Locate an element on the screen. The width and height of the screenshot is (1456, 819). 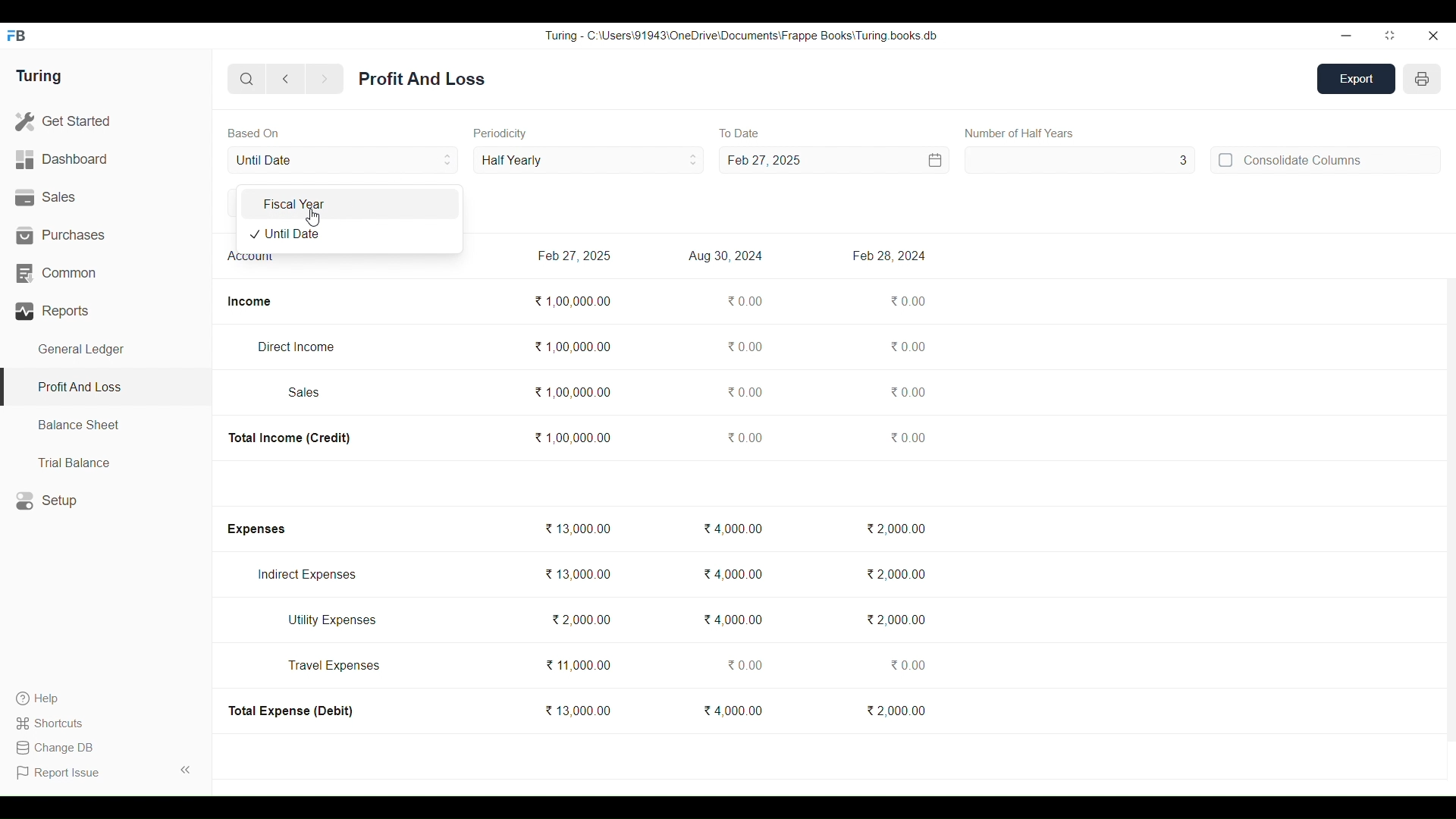
Shortcuts is located at coordinates (52, 723).